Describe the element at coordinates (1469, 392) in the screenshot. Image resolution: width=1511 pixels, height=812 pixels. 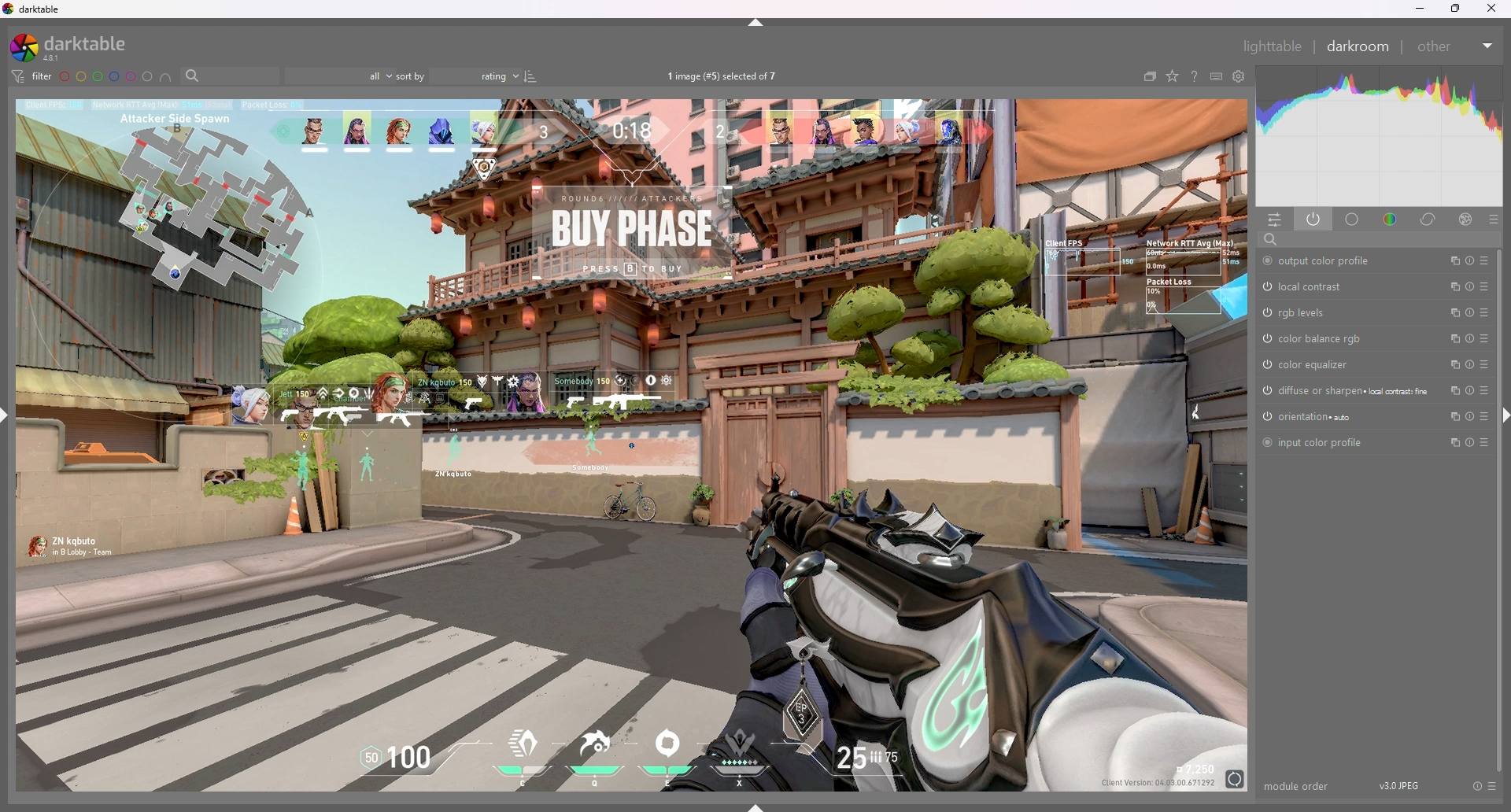
I see `reset` at that location.